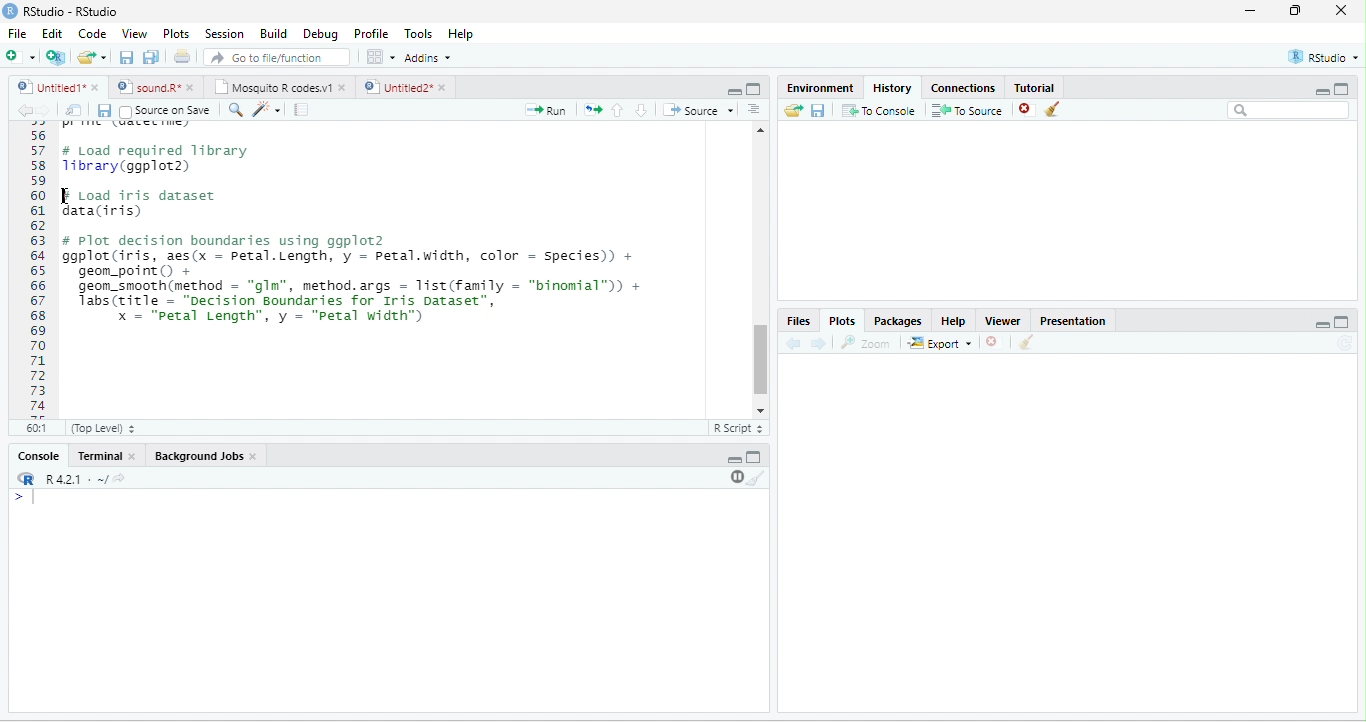 This screenshot has height=722, width=1366. What do you see at coordinates (737, 428) in the screenshot?
I see `R Script` at bounding box center [737, 428].